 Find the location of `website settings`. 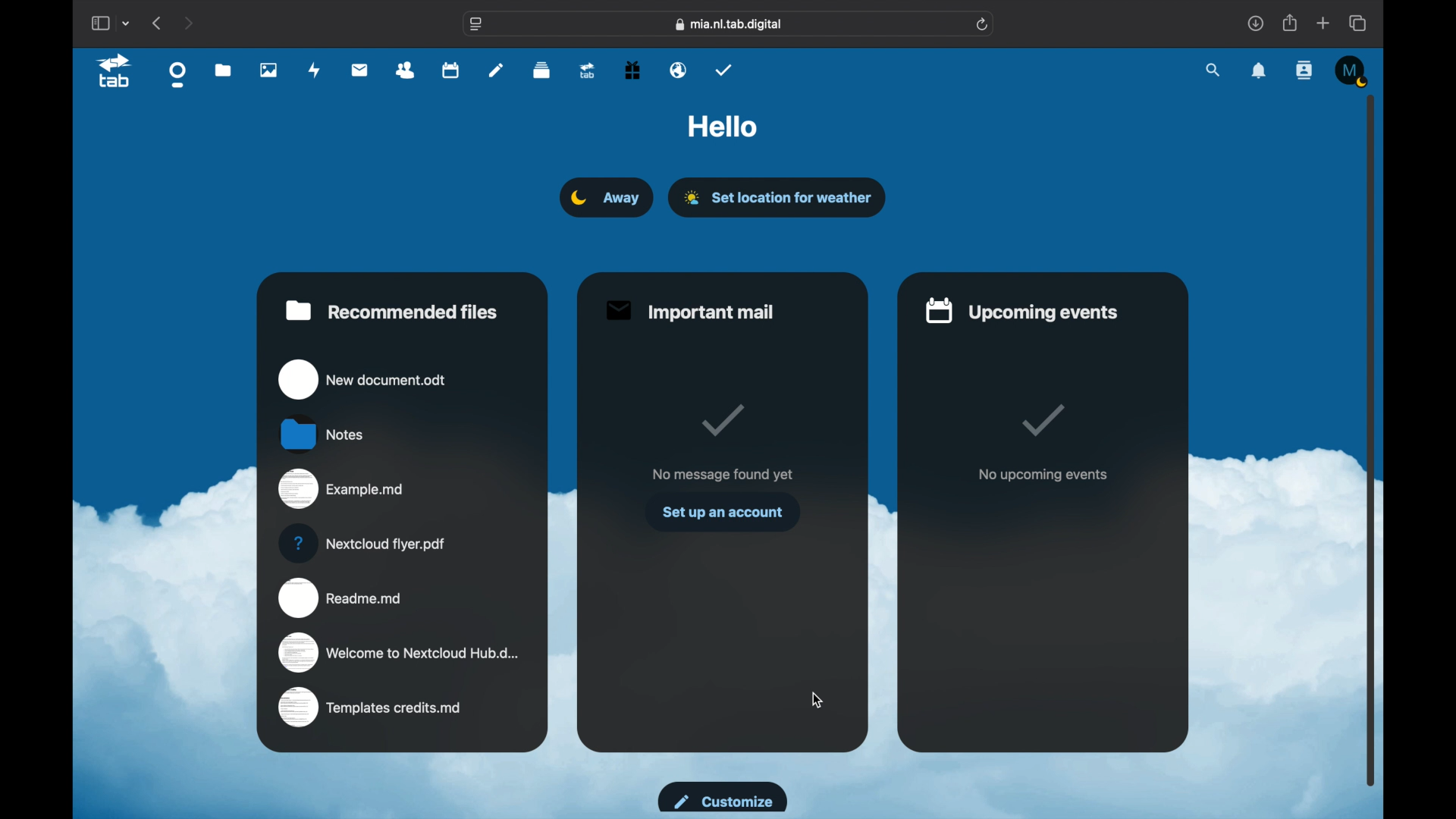

website settings is located at coordinates (476, 25).